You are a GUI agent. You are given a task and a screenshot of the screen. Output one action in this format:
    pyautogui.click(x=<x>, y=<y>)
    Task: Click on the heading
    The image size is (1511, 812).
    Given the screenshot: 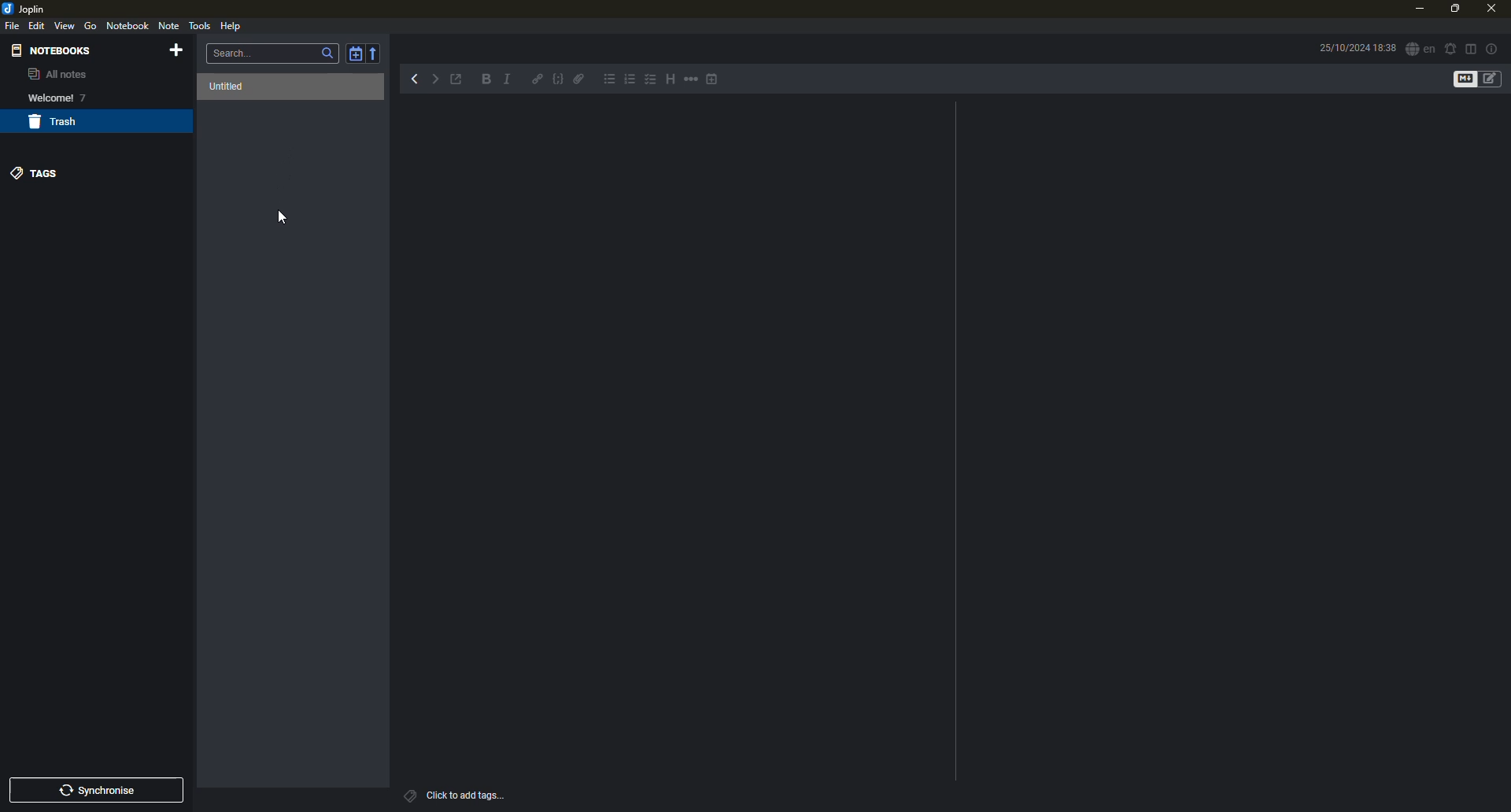 What is the action you would take?
    pyautogui.click(x=667, y=79)
    